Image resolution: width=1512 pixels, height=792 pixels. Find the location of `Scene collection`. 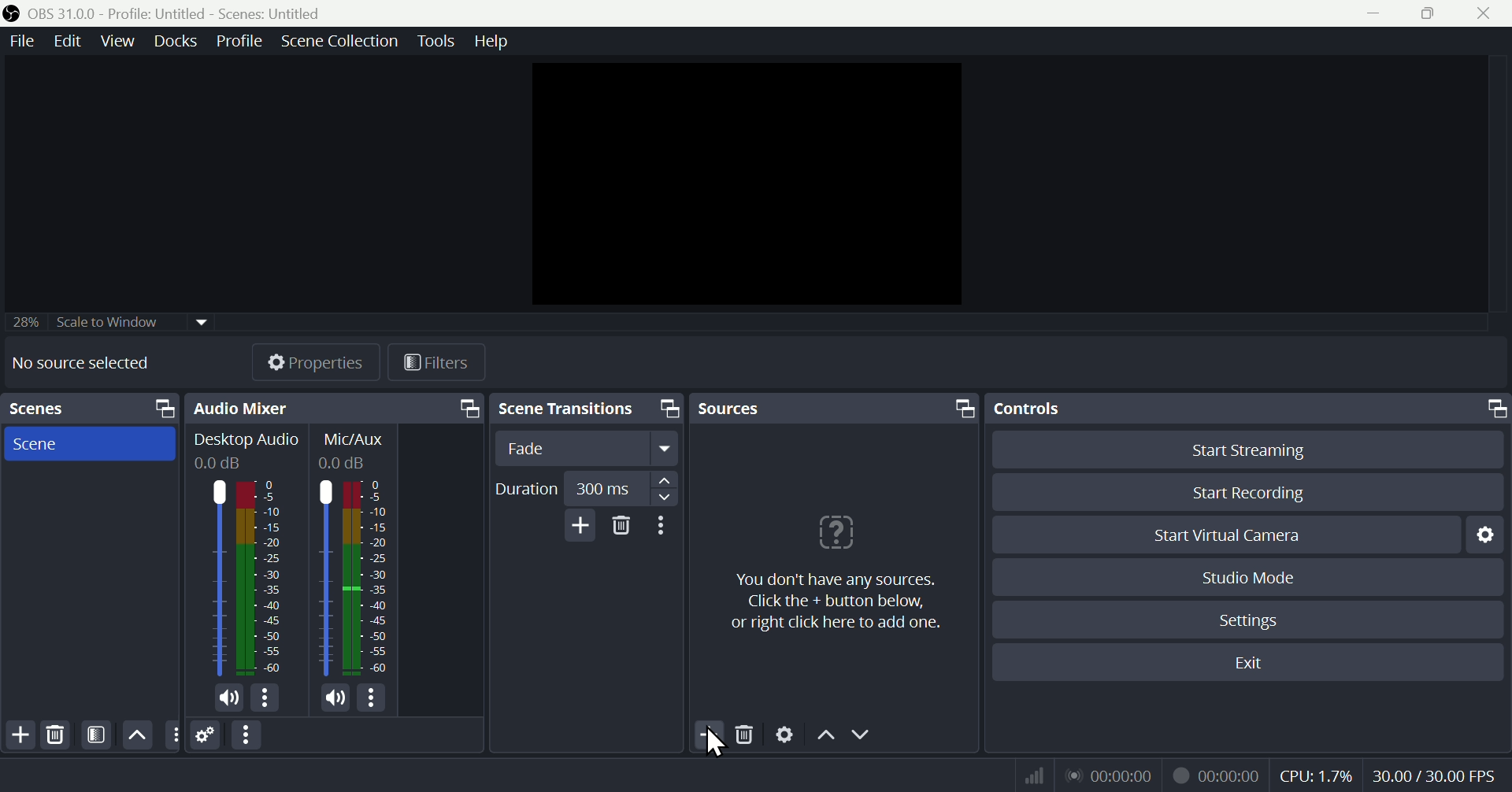

Scene collection is located at coordinates (343, 43).